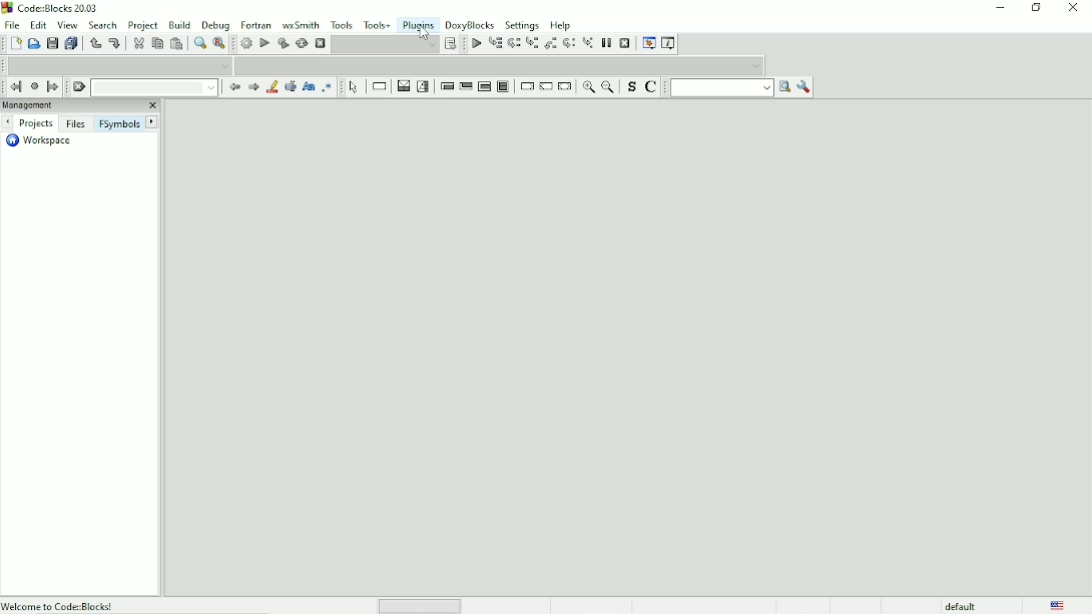 The height and width of the screenshot is (614, 1092). What do you see at coordinates (271, 88) in the screenshot?
I see `Highlight` at bounding box center [271, 88].